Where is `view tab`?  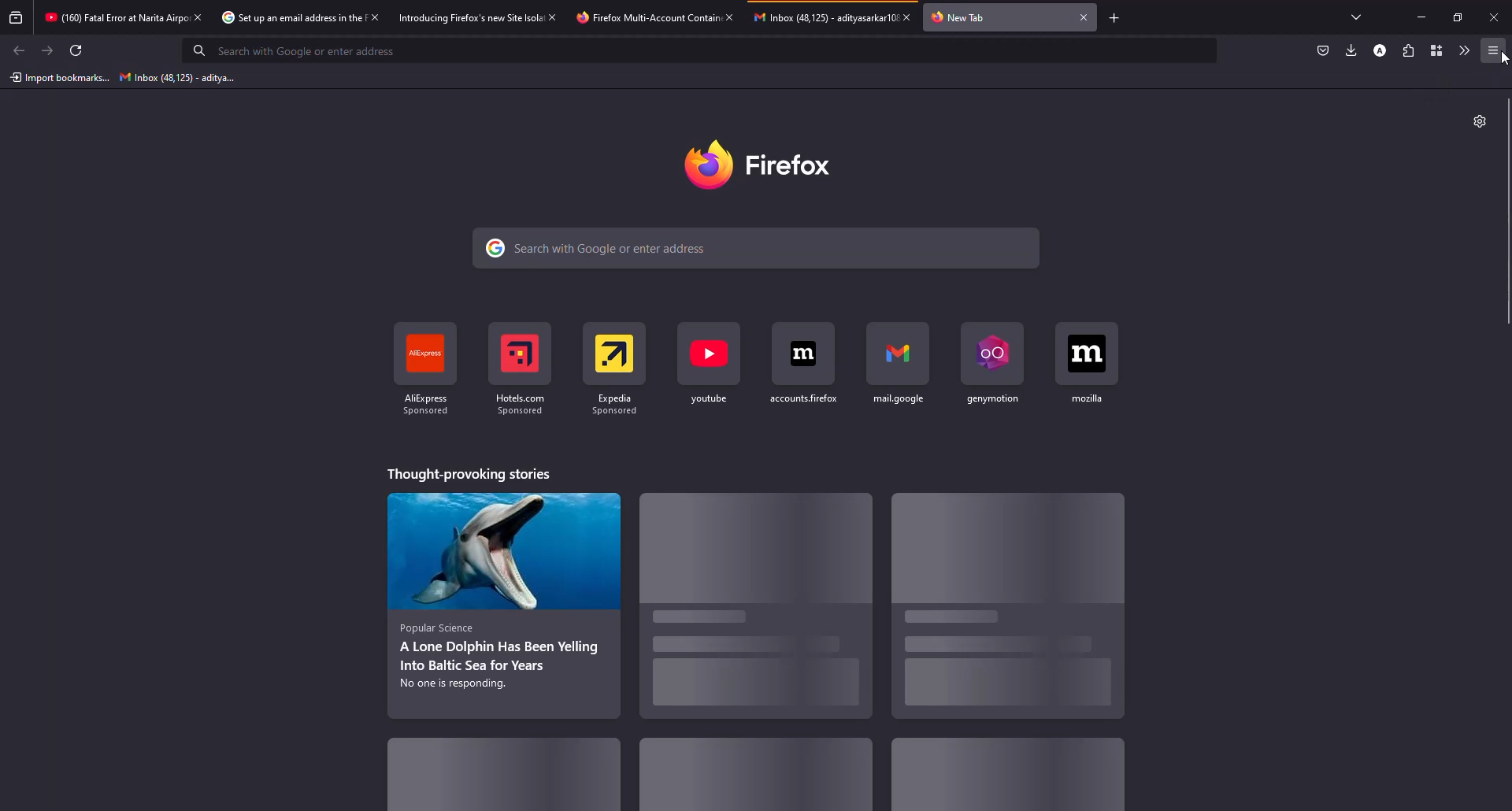
view tab is located at coordinates (1357, 17).